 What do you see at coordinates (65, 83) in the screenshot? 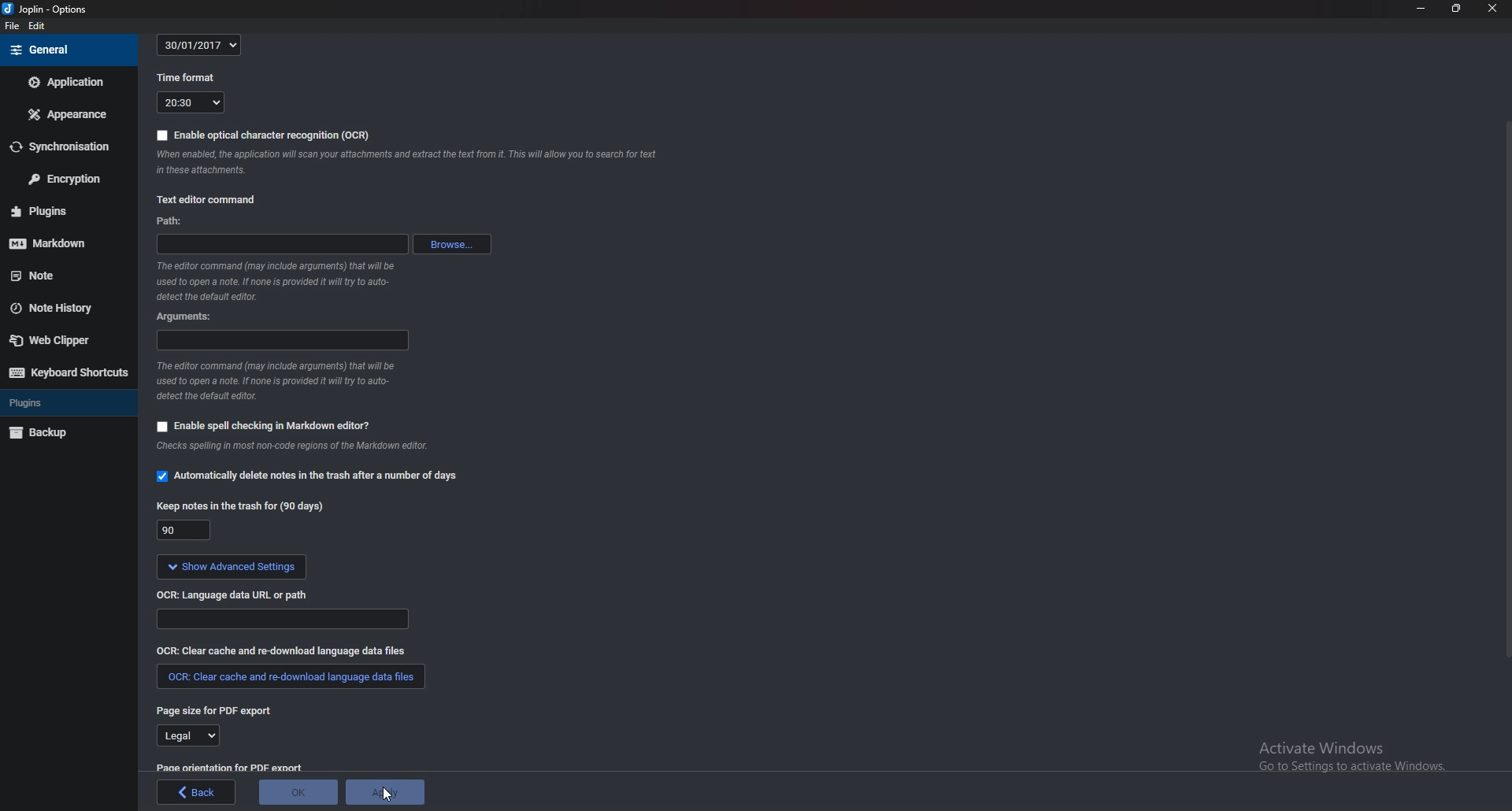
I see `Application` at bounding box center [65, 83].